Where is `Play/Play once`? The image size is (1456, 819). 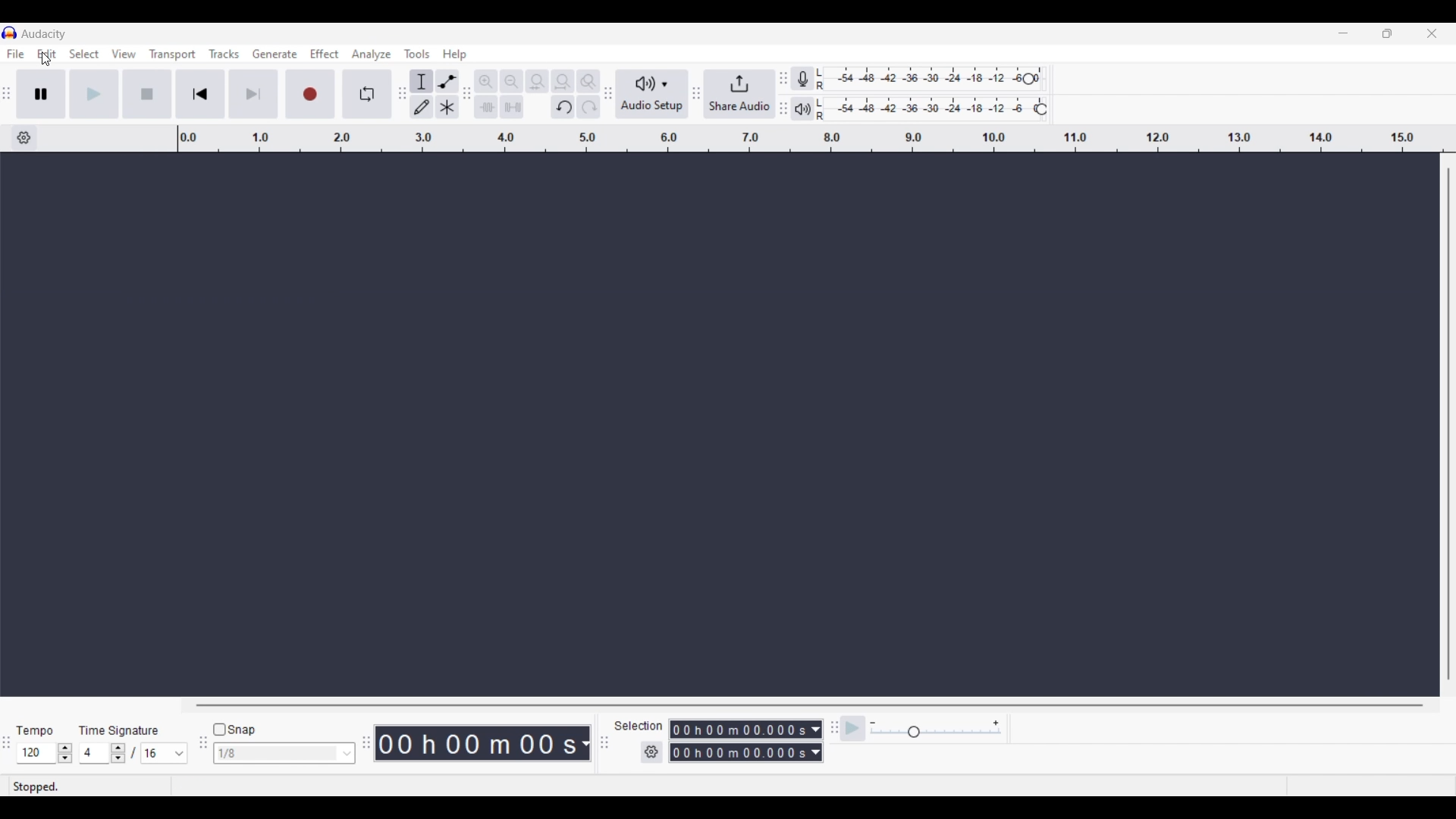
Play/Play once is located at coordinates (94, 93).